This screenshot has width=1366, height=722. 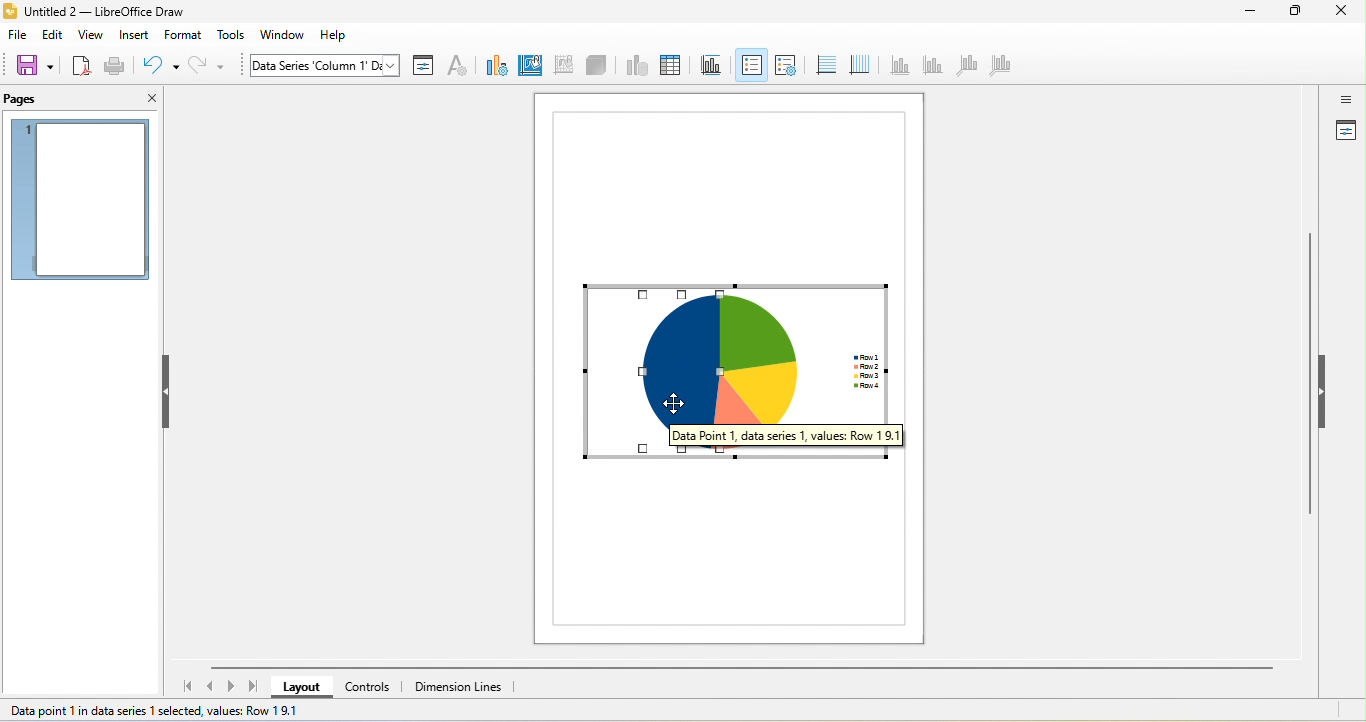 I want to click on y axis, so click(x=931, y=66).